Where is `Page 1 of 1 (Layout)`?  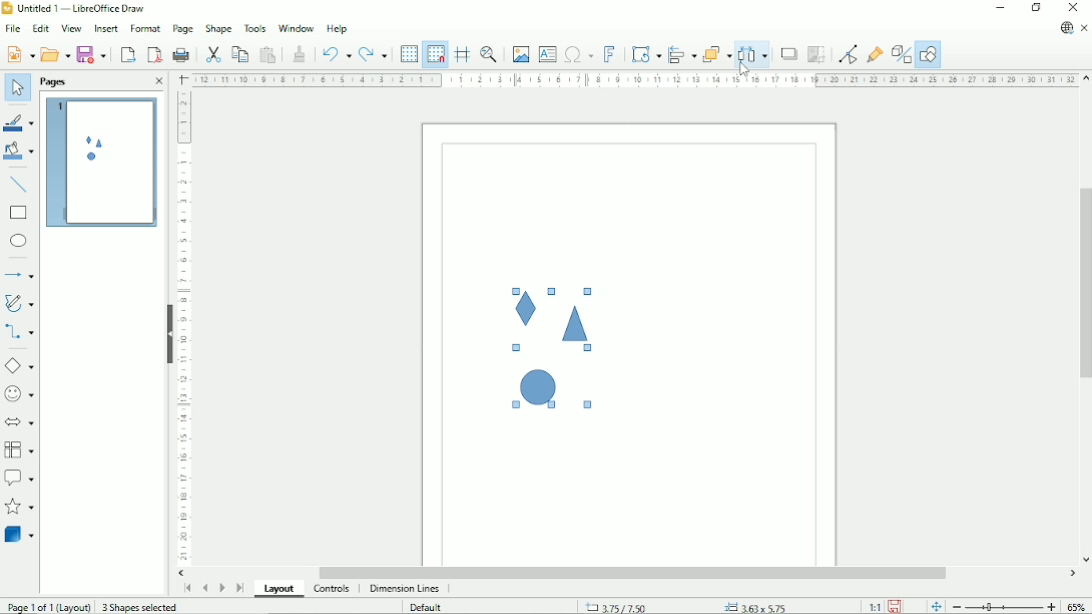
Page 1 of 1 (Layout) is located at coordinates (48, 607).